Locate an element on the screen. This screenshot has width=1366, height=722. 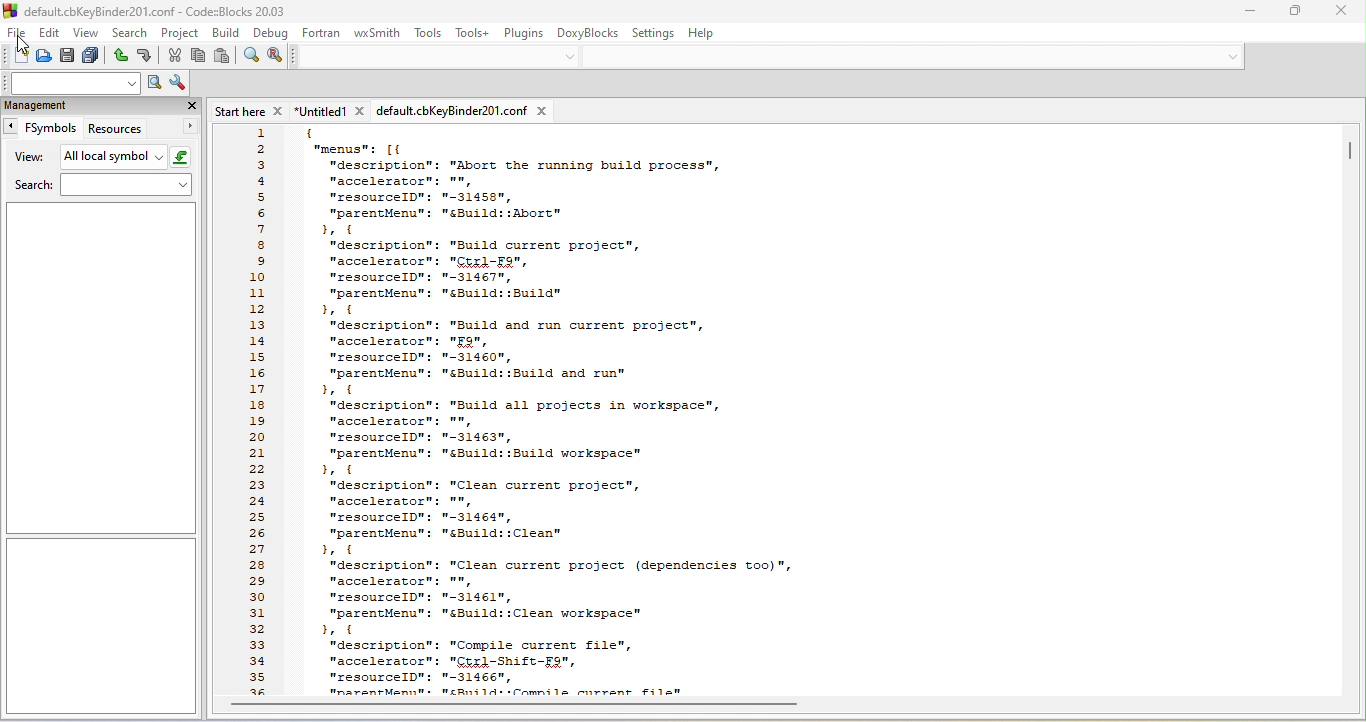
help is located at coordinates (703, 33).